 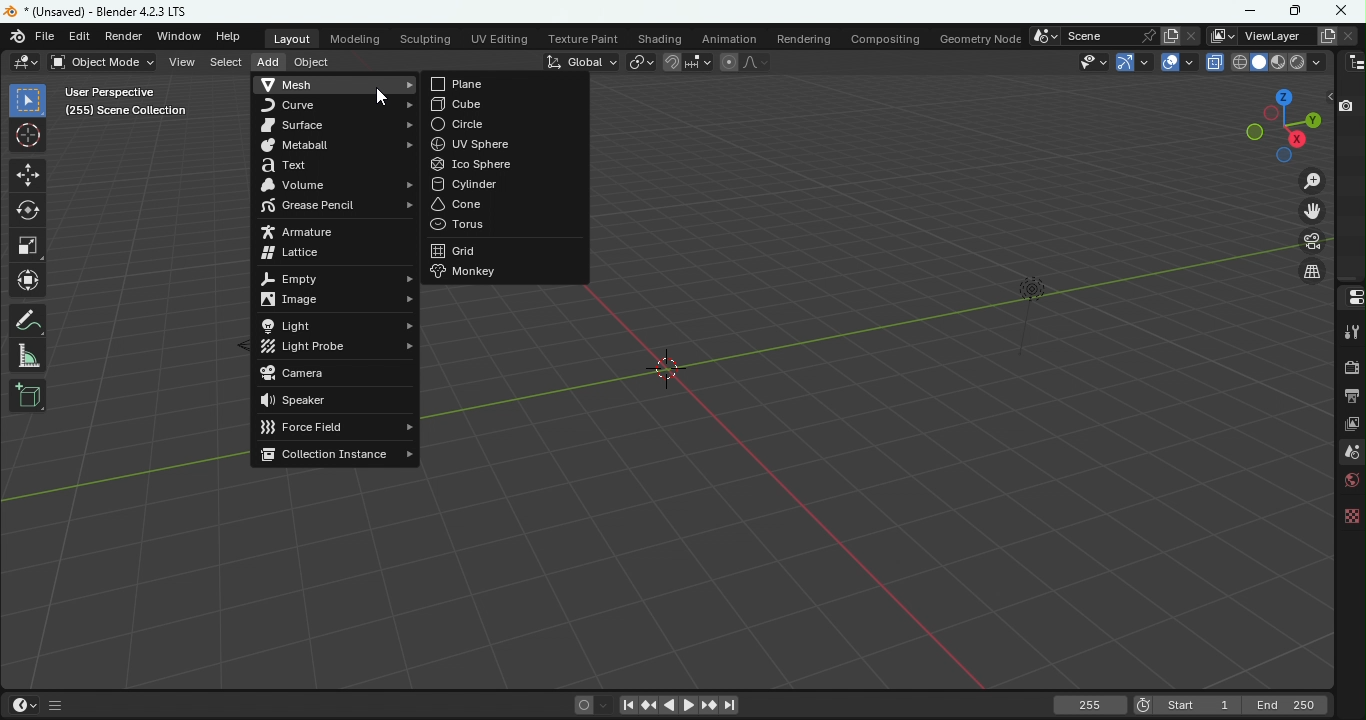 What do you see at coordinates (31, 354) in the screenshot?
I see `Measure` at bounding box center [31, 354].